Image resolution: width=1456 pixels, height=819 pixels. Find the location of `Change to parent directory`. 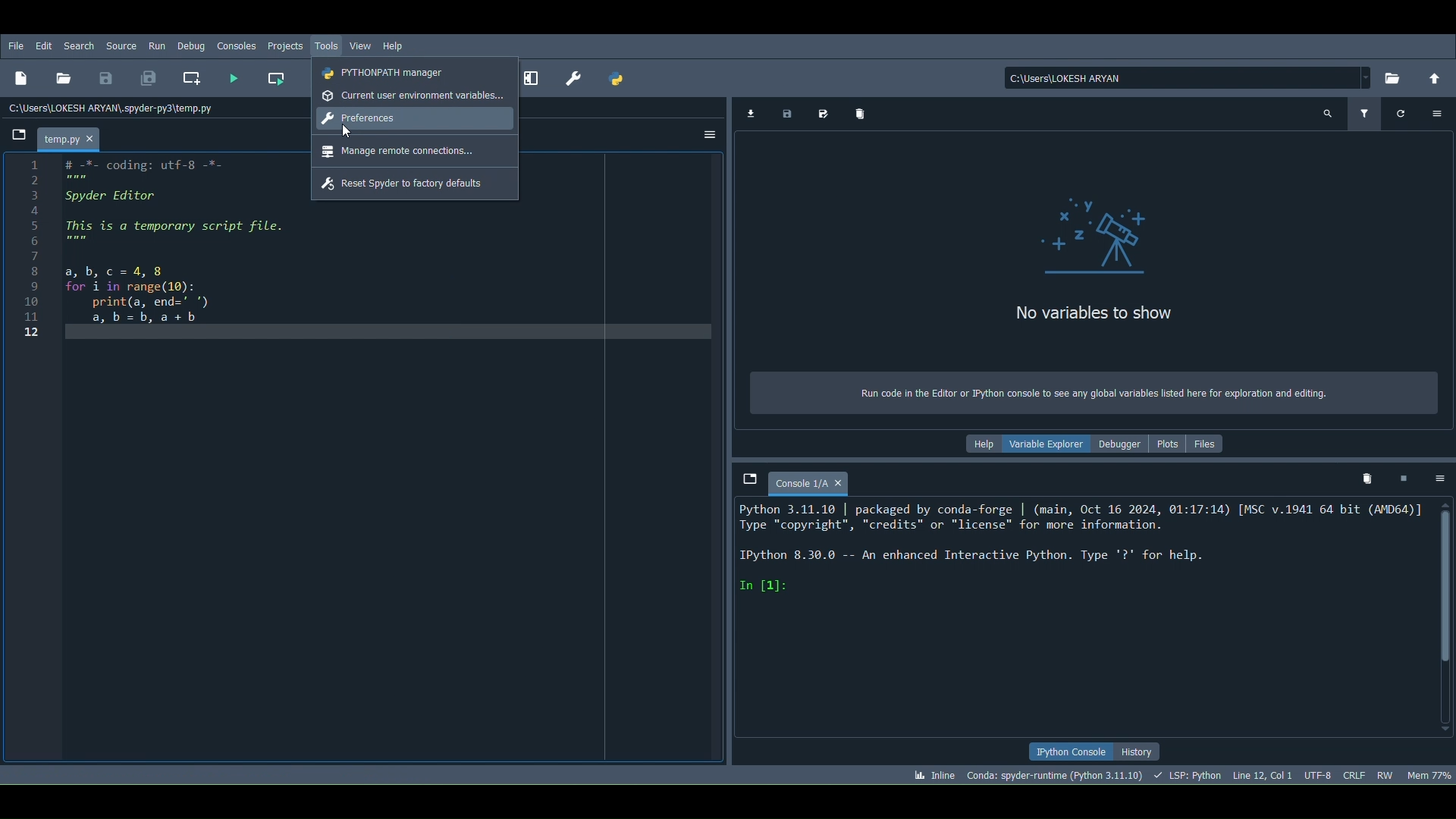

Change to parent directory is located at coordinates (1430, 76).